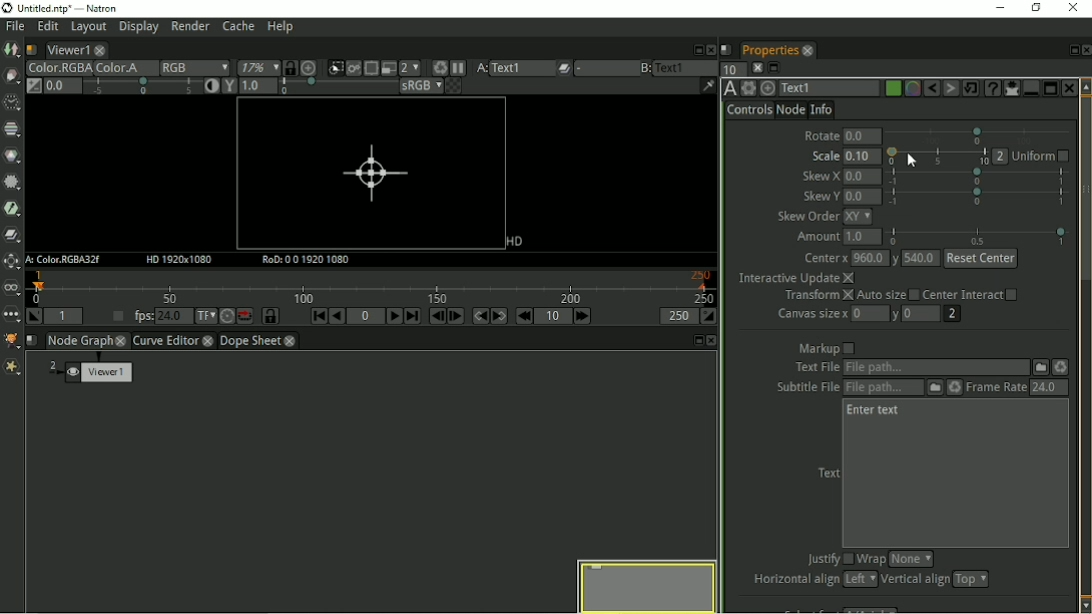  What do you see at coordinates (756, 67) in the screenshot?
I see `Close` at bounding box center [756, 67].